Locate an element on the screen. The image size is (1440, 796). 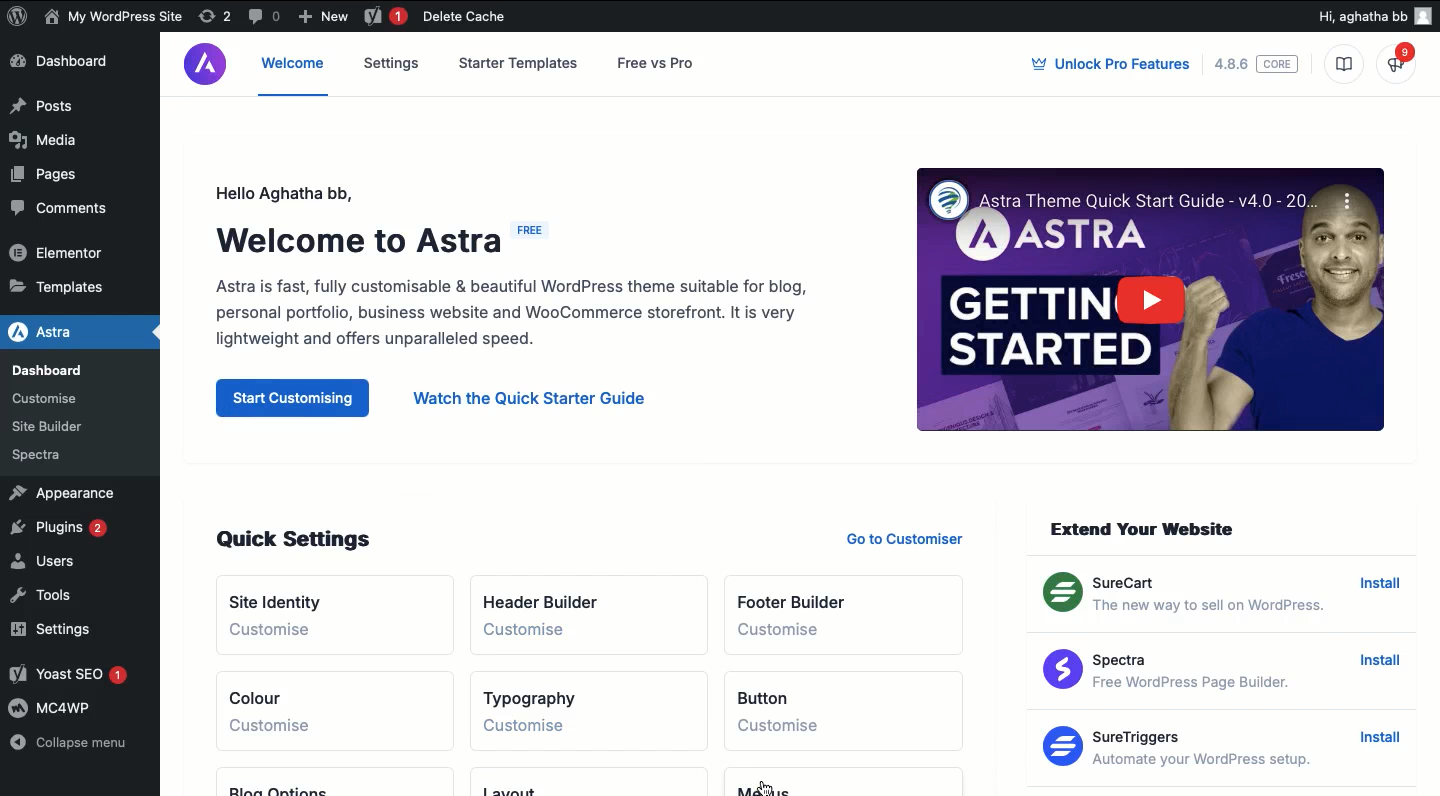
Go to customiser is located at coordinates (913, 537).